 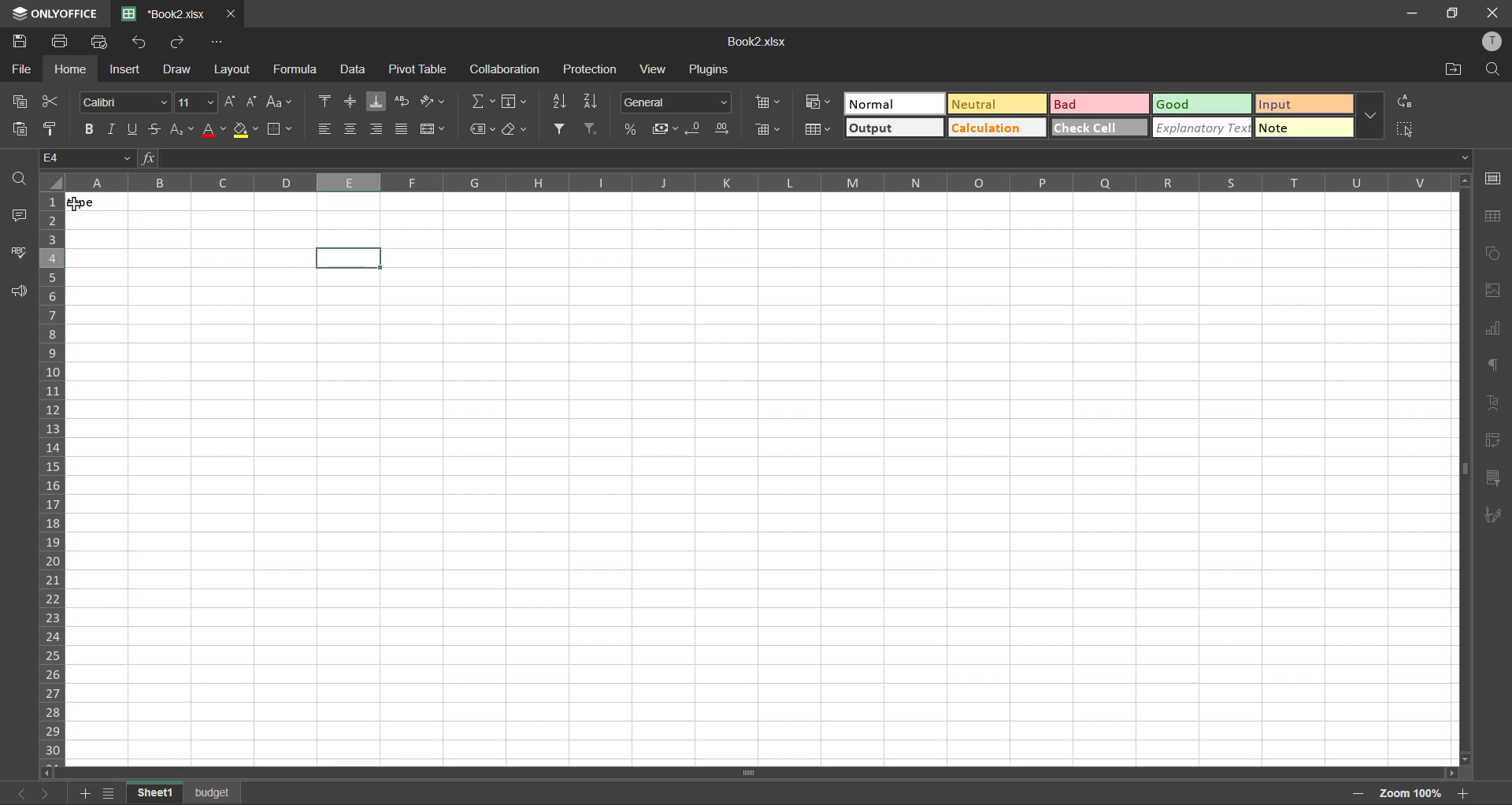 I want to click on input, so click(x=1304, y=103).